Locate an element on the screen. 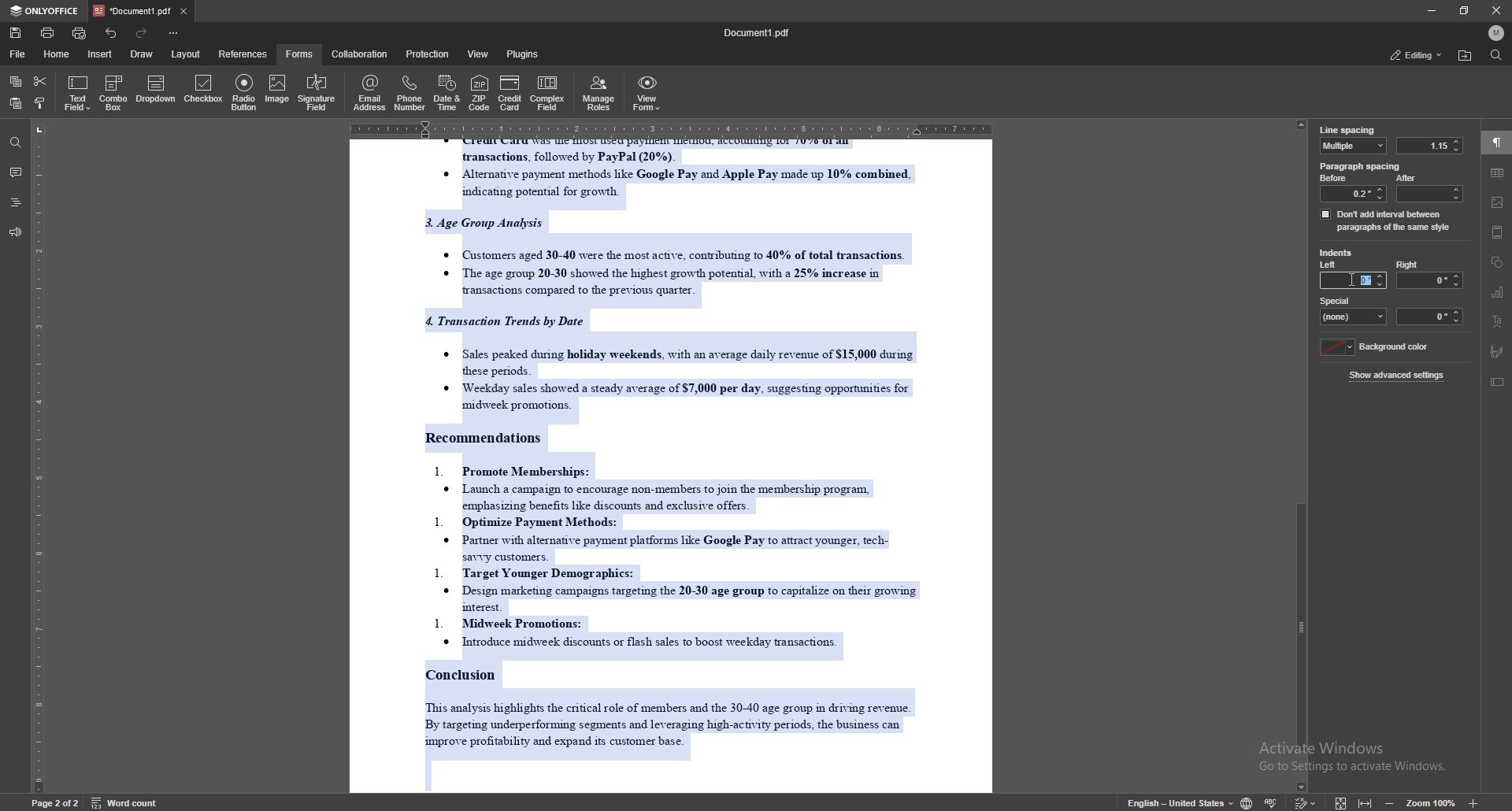  horizontal scale is located at coordinates (669, 127).